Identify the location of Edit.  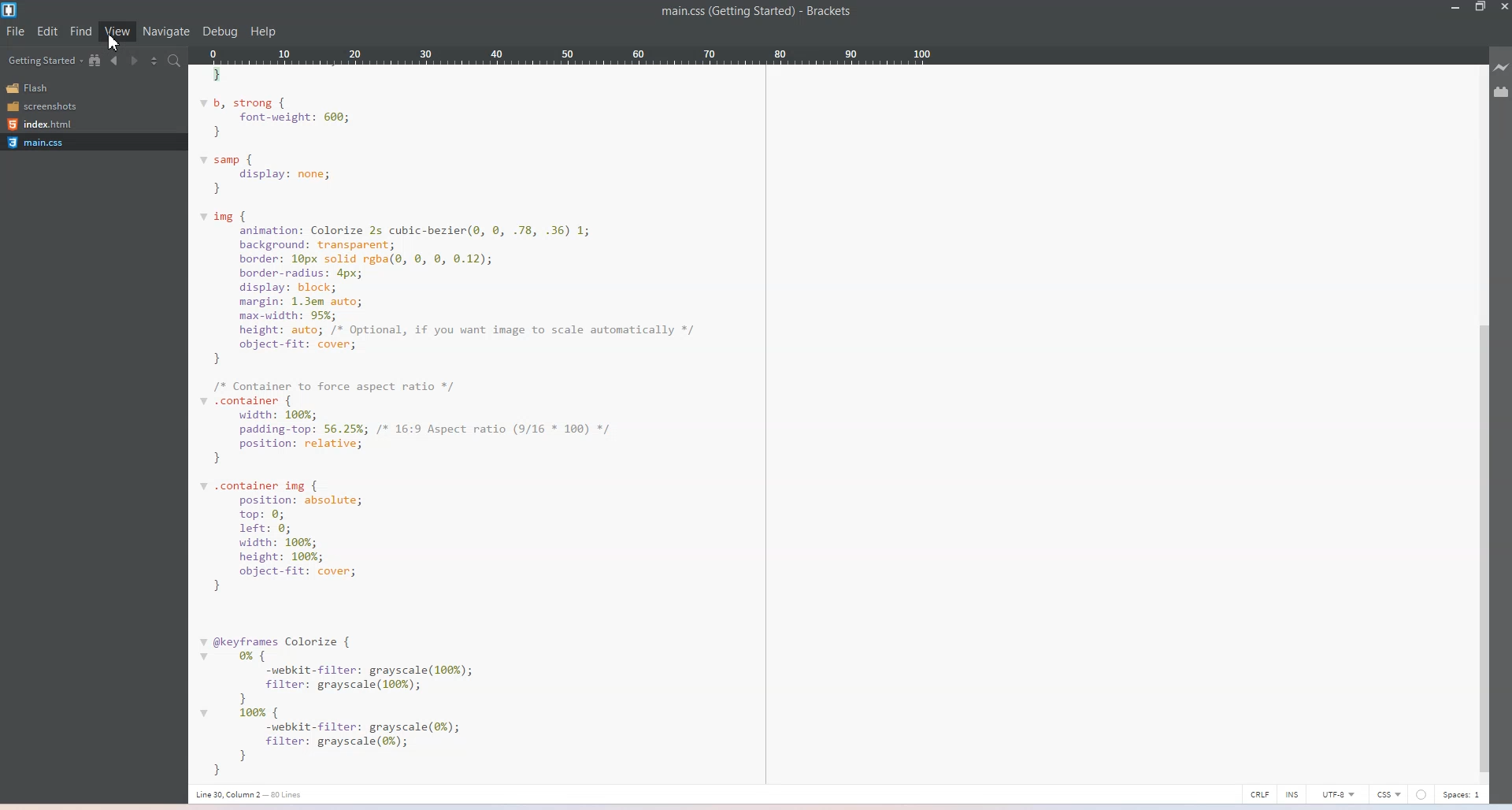
(48, 32).